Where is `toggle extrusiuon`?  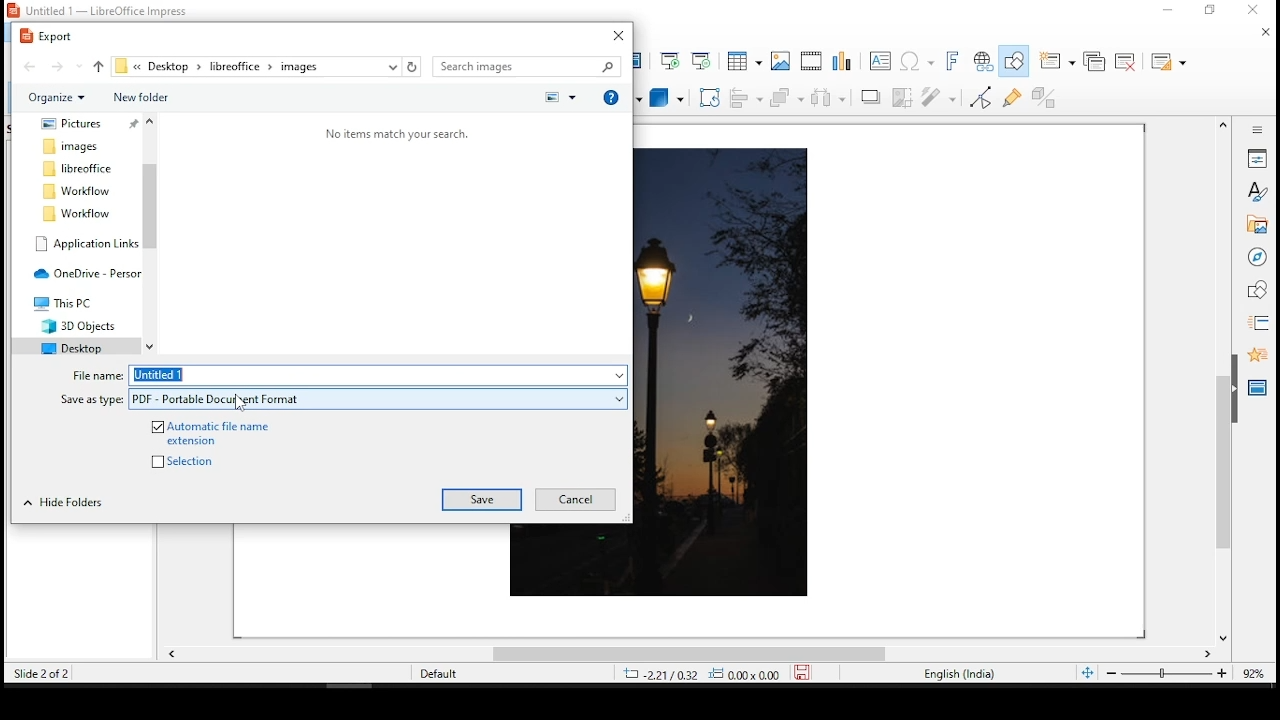
toggle extrusiuon is located at coordinates (1050, 96).